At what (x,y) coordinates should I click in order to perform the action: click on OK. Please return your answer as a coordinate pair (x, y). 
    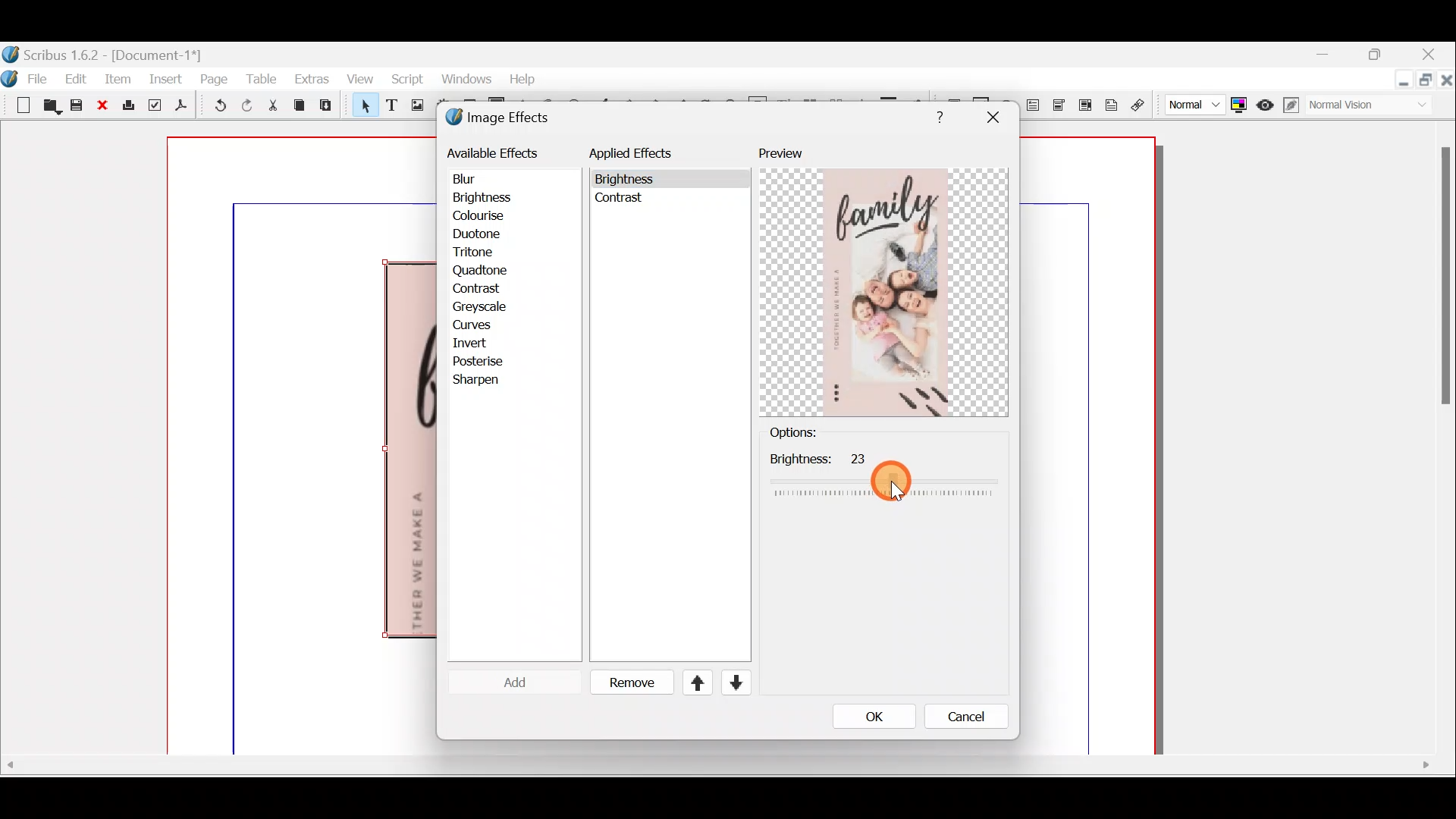
    Looking at the image, I should click on (870, 716).